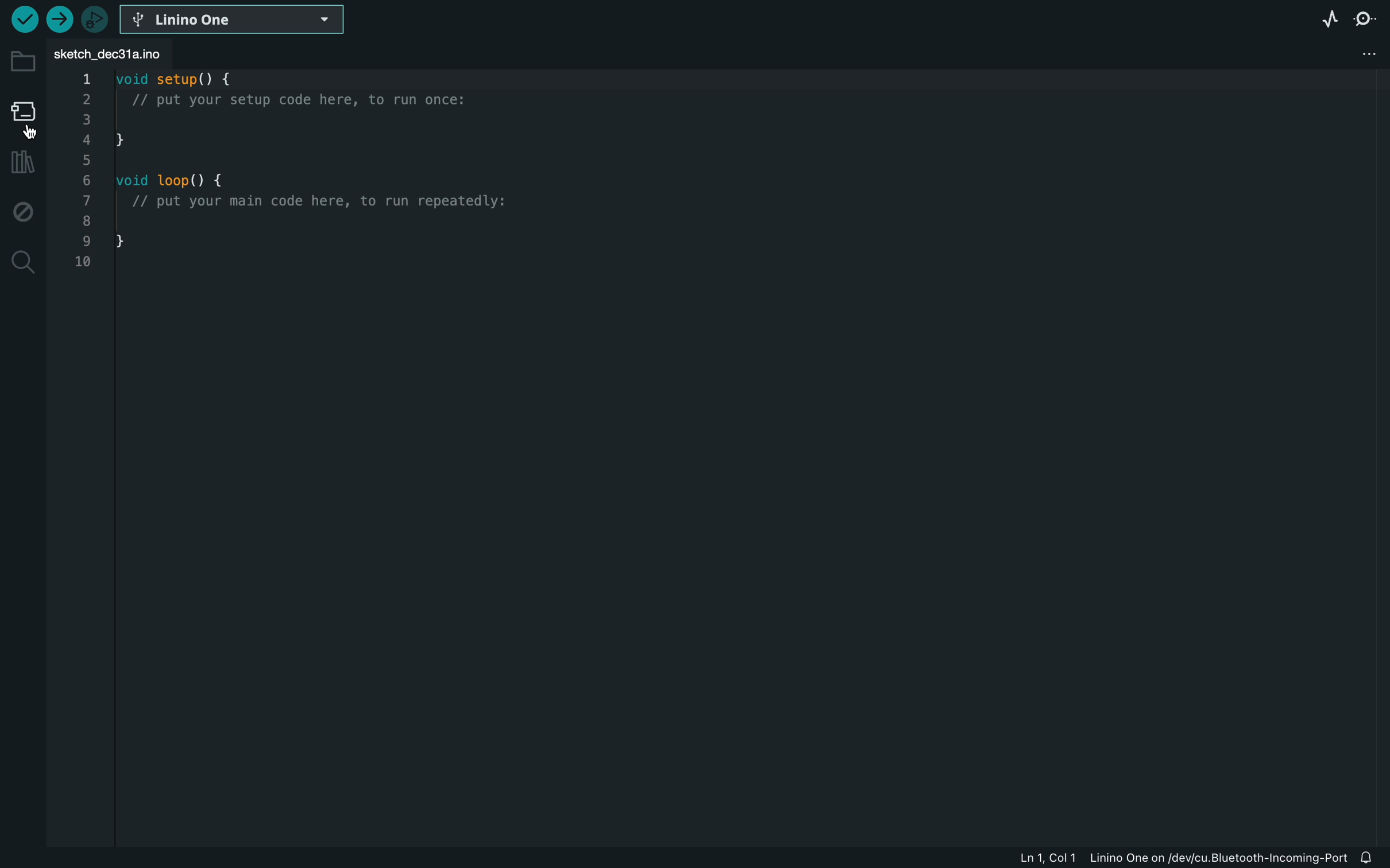 This screenshot has width=1390, height=868. I want to click on select board, so click(234, 18).